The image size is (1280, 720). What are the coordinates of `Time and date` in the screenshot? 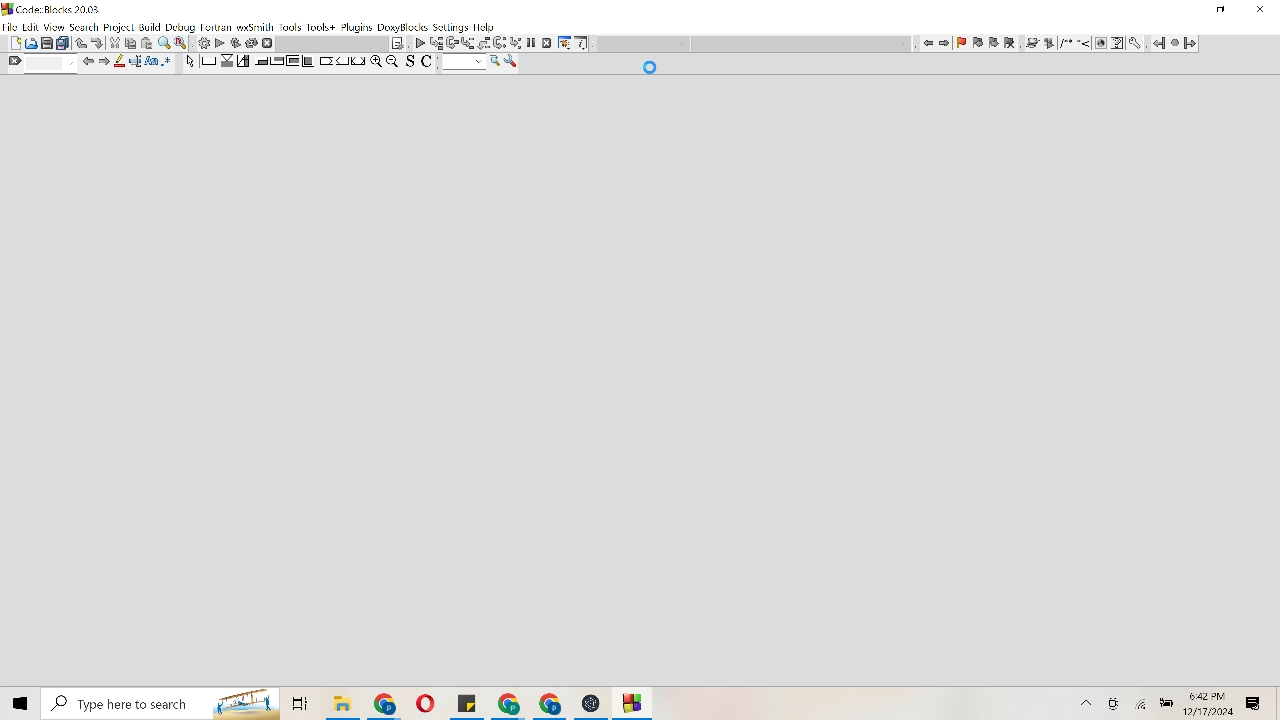 It's located at (1212, 704).